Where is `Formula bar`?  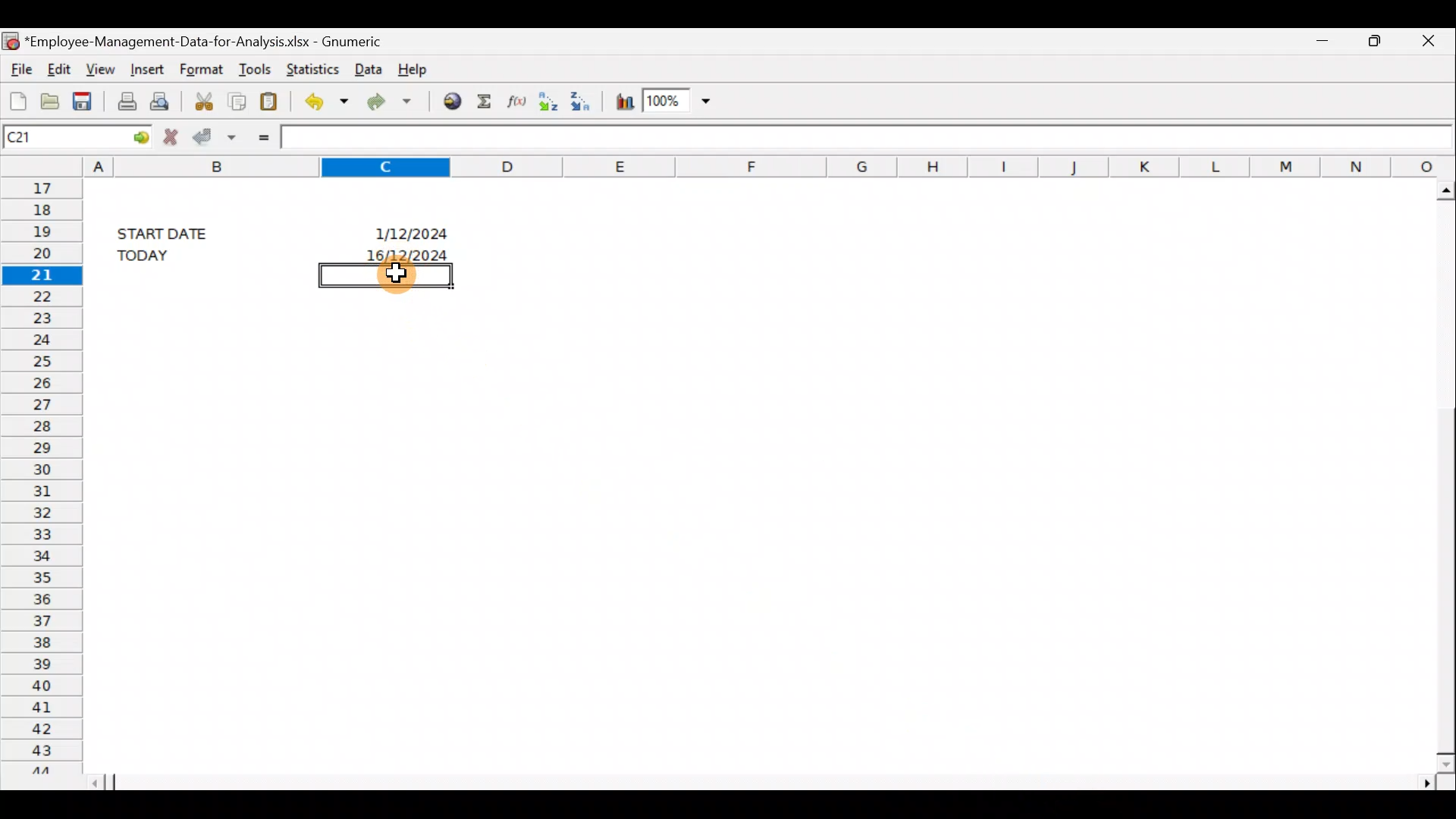 Formula bar is located at coordinates (868, 134).